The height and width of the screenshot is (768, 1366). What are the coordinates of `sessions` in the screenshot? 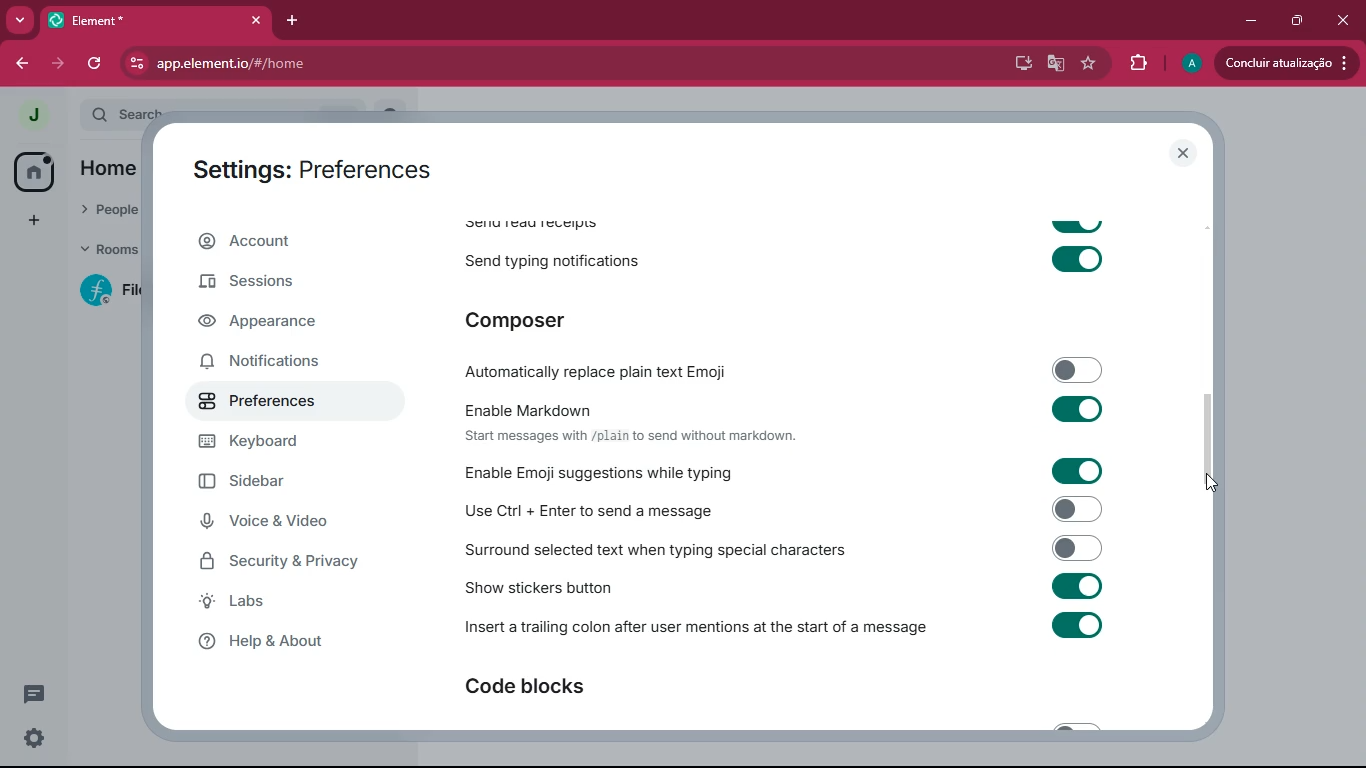 It's located at (268, 285).